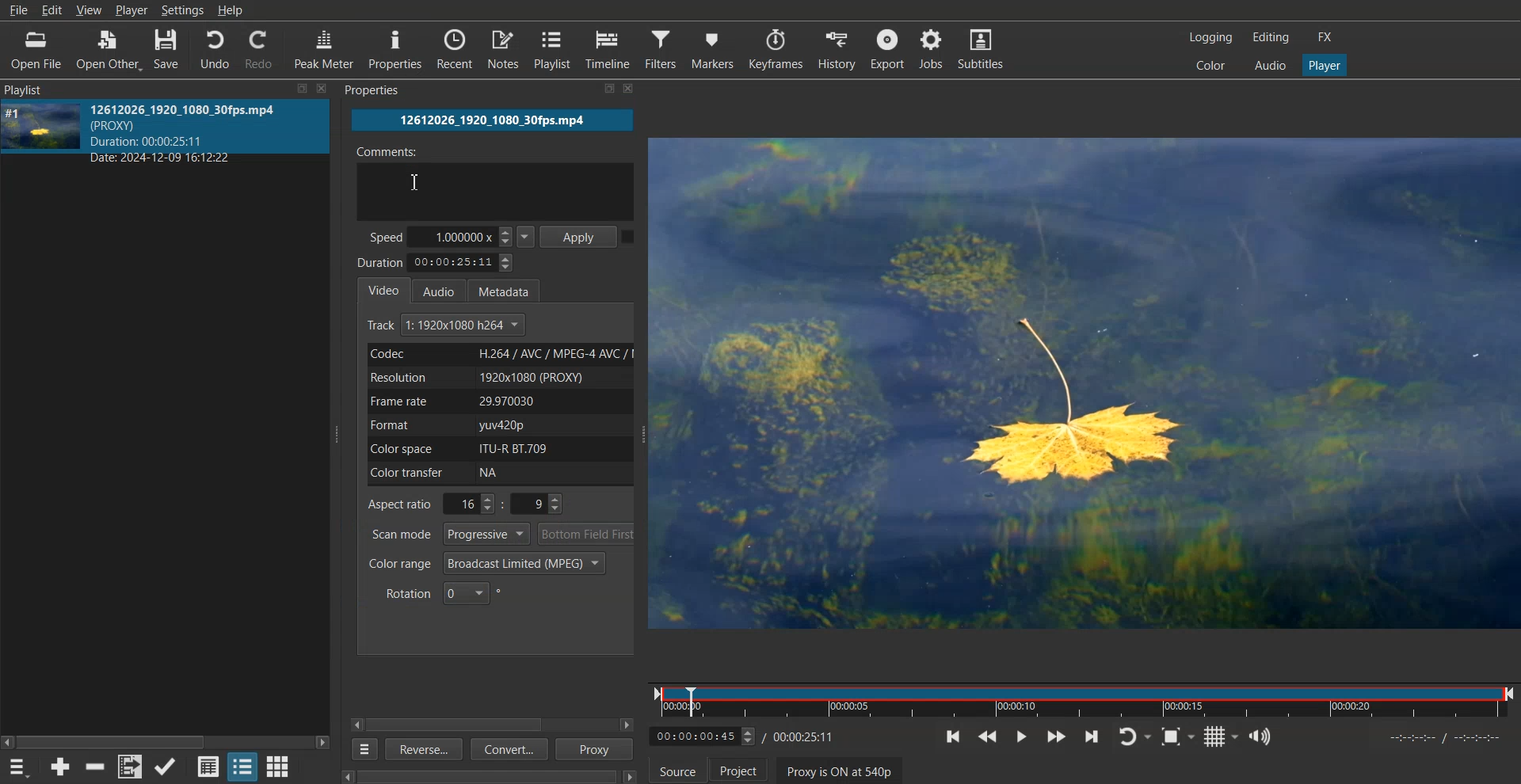 The image size is (1521, 784). I want to click on Audio, so click(444, 290).